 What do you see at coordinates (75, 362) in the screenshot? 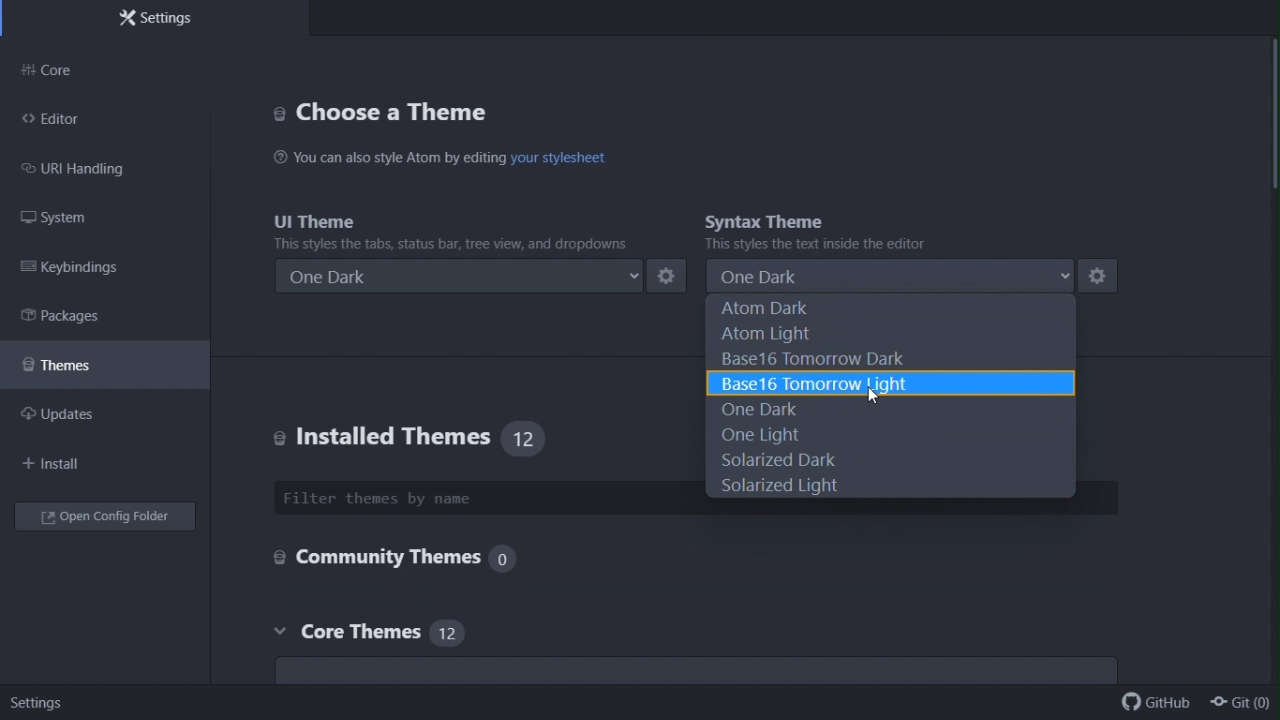
I see `themes` at bounding box center [75, 362].